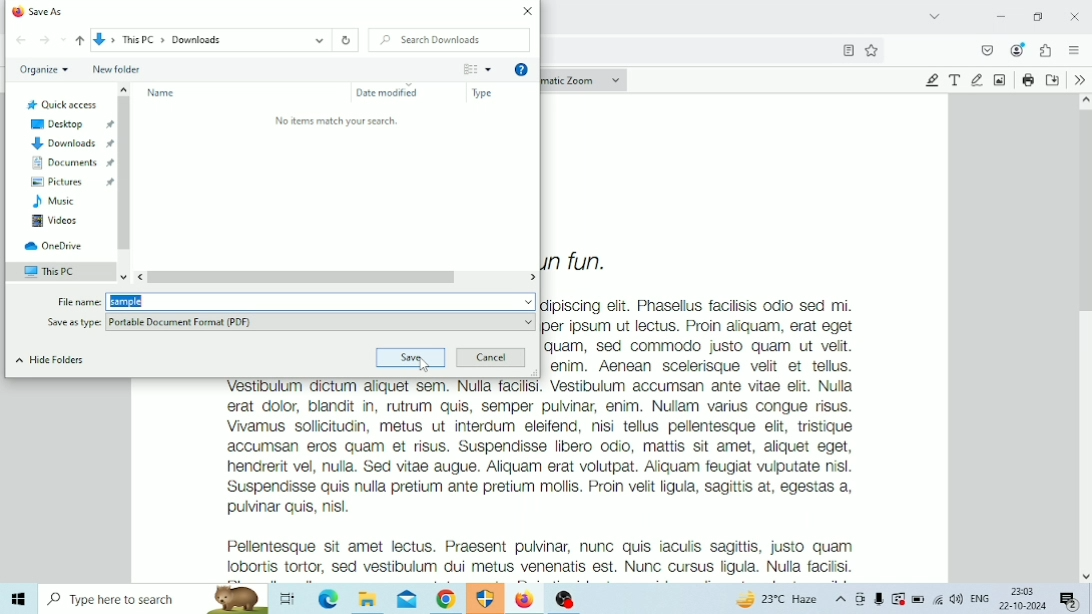  Describe the element at coordinates (956, 80) in the screenshot. I see `Text` at that location.